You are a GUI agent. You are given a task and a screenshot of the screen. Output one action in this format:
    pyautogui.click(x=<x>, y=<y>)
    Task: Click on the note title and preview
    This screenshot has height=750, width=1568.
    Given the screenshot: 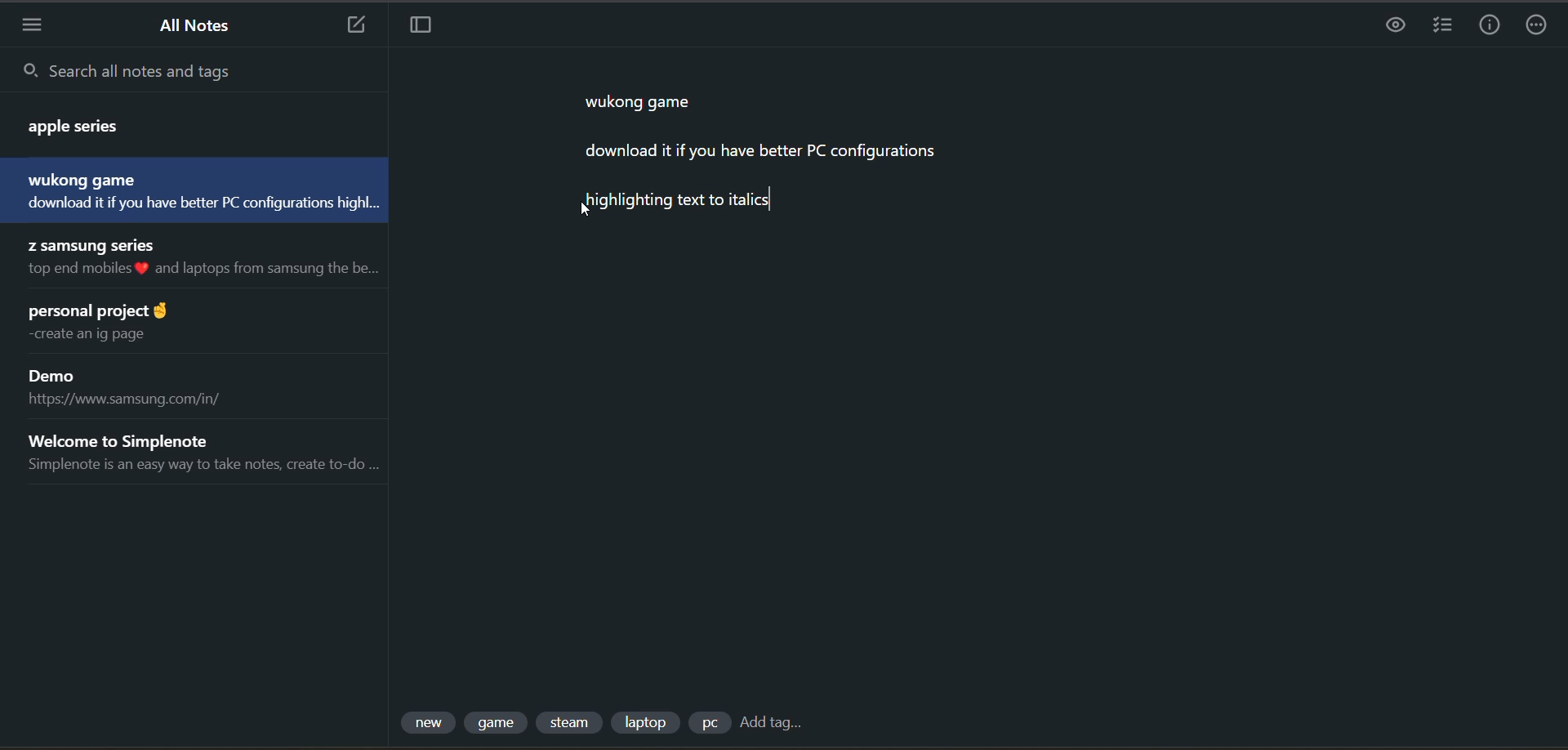 What is the action you would take?
    pyautogui.click(x=180, y=122)
    